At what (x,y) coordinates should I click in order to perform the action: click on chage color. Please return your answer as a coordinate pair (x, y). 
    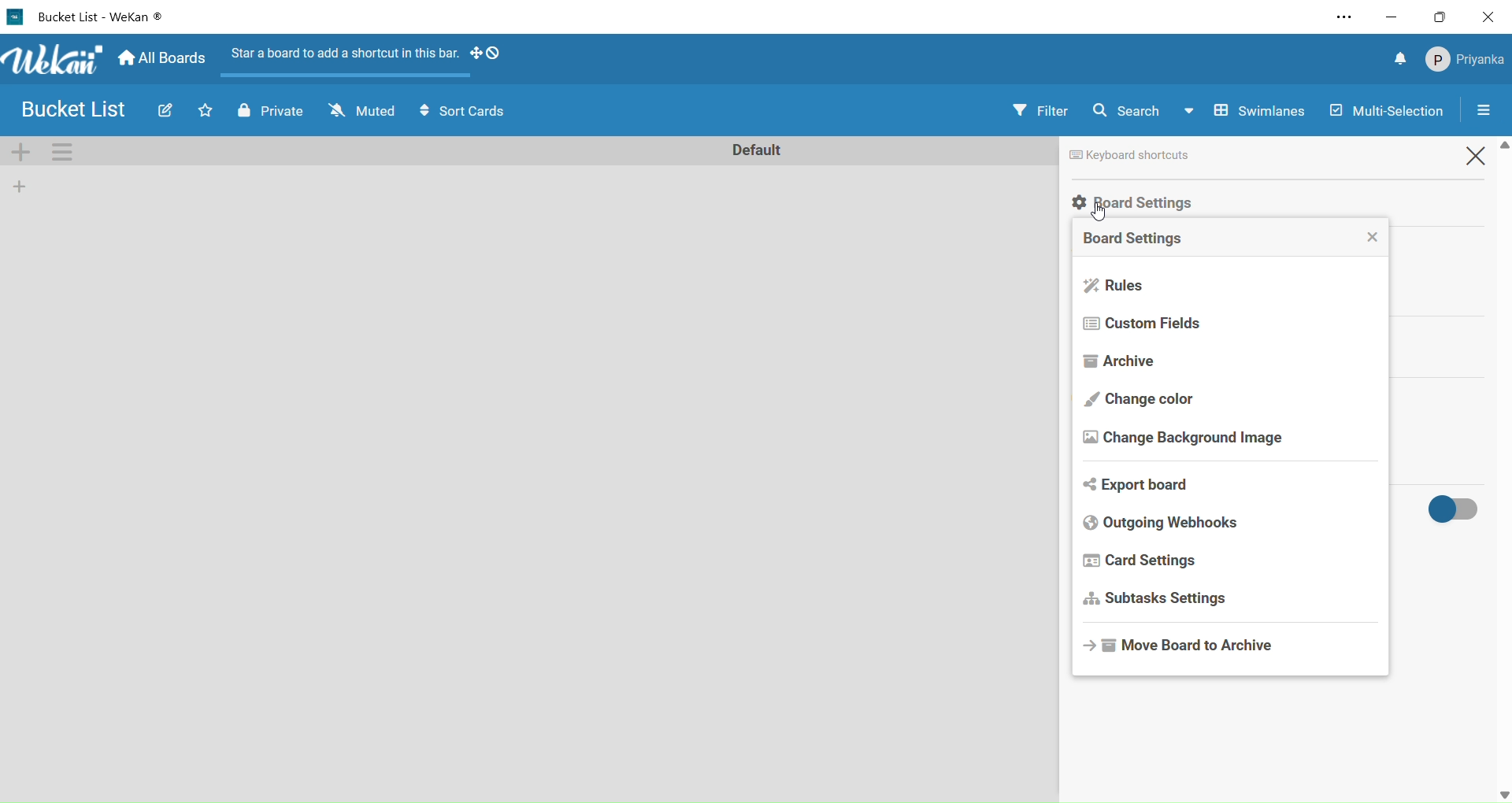
    Looking at the image, I should click on (1232, 396).